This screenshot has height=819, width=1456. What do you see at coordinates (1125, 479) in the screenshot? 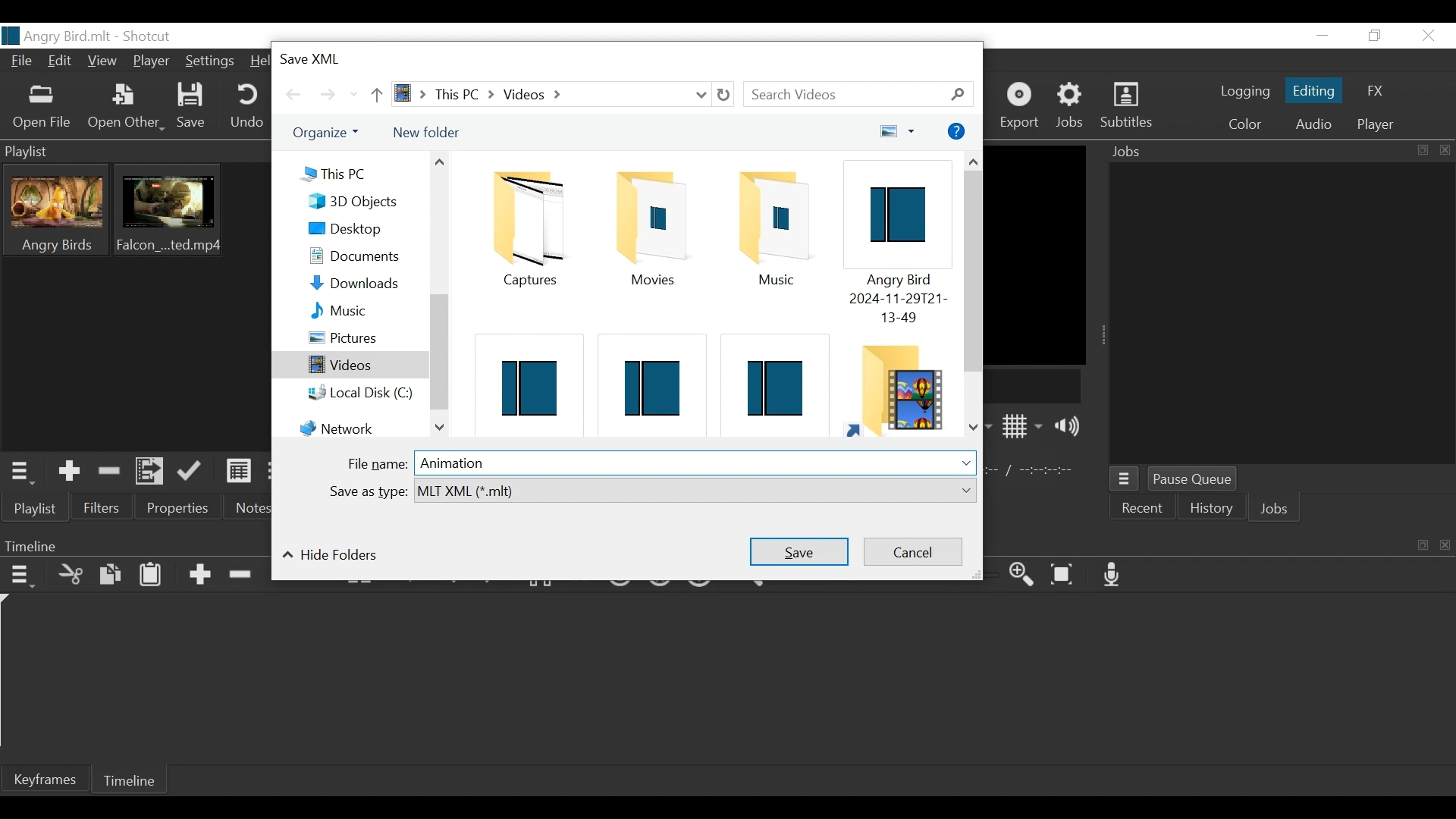
I see `Jobs menu` at bounding box center [1125, 479].